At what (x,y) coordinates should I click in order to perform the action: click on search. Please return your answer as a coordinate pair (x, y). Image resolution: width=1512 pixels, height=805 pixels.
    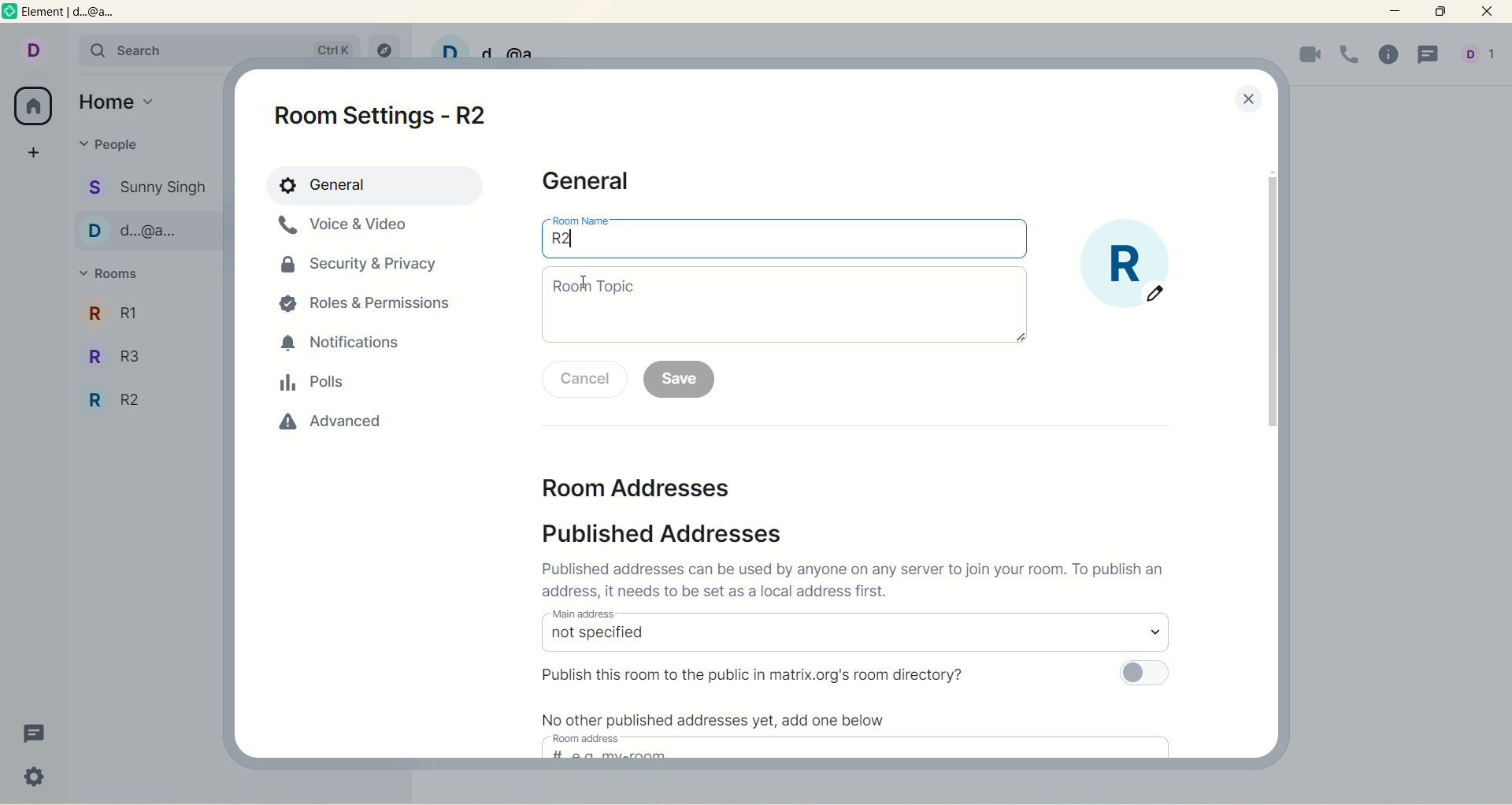
    Looking at the image, I should click on (152, 49).